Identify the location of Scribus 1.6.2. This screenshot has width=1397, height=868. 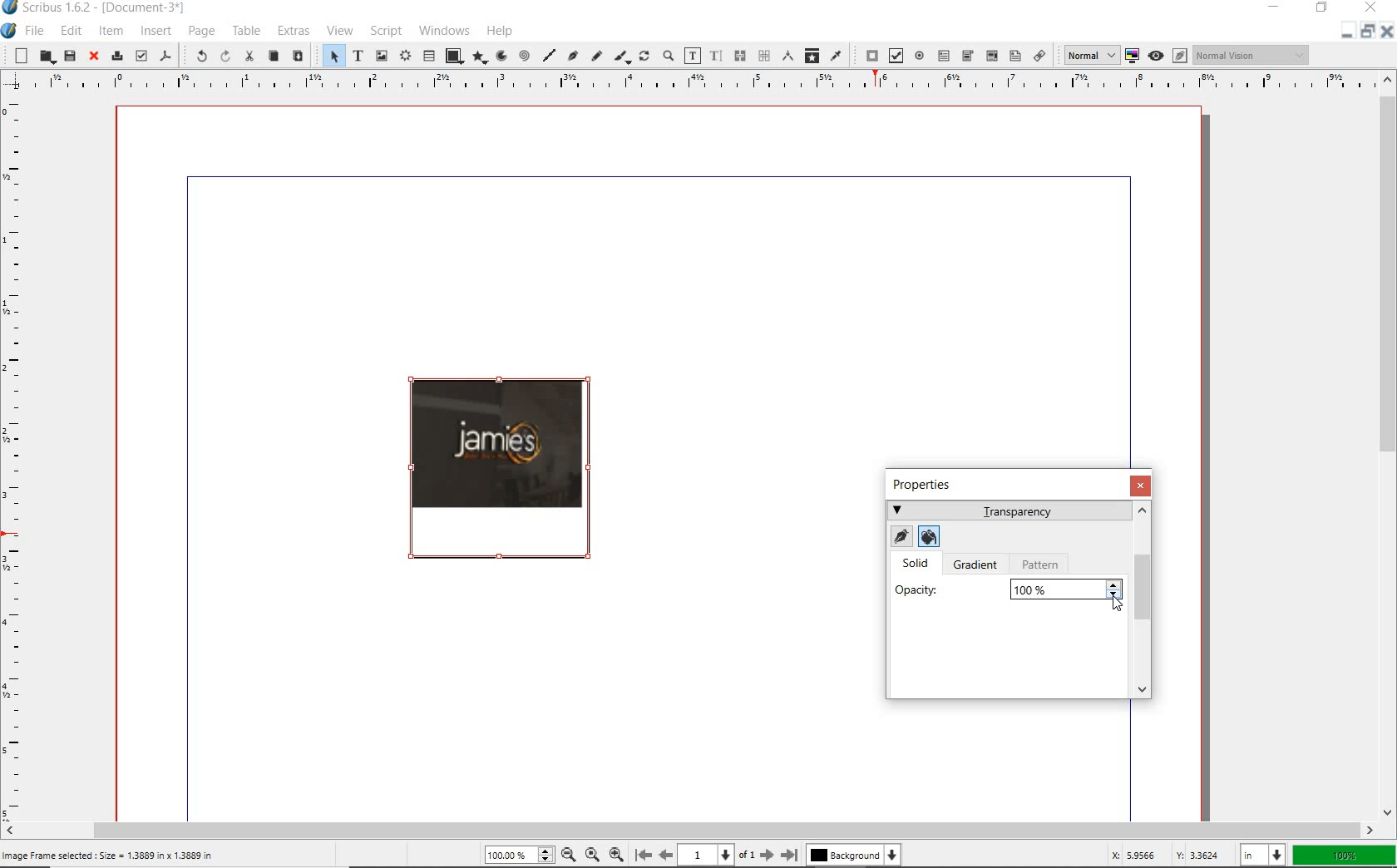
(97, 8).